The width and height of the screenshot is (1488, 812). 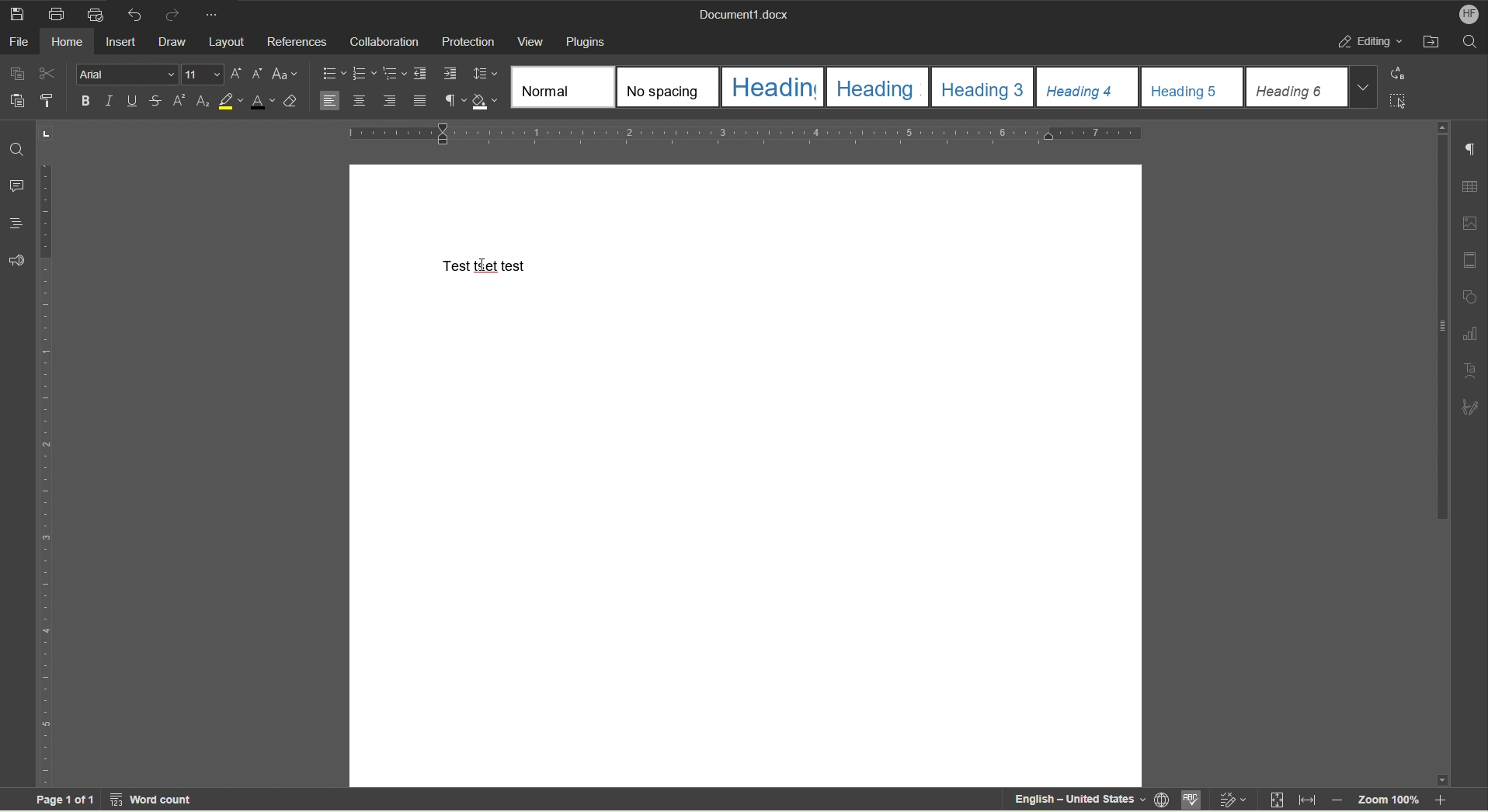 What do you see at coordinates (297, 41) in the screenshot?
I see `Reference` at bounding box center [297, 41].